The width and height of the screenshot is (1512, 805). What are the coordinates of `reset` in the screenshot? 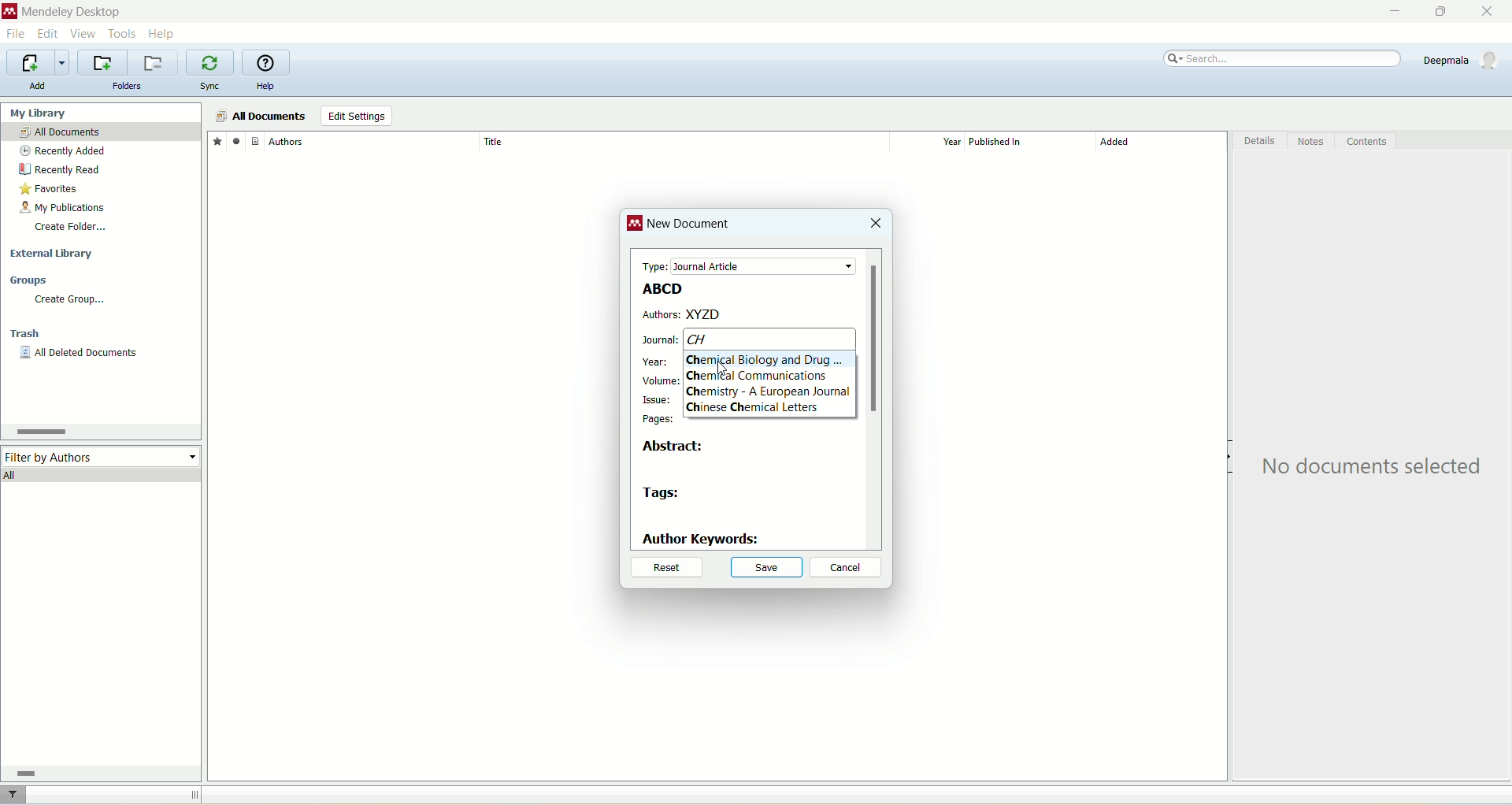 It's located at (665, 569).